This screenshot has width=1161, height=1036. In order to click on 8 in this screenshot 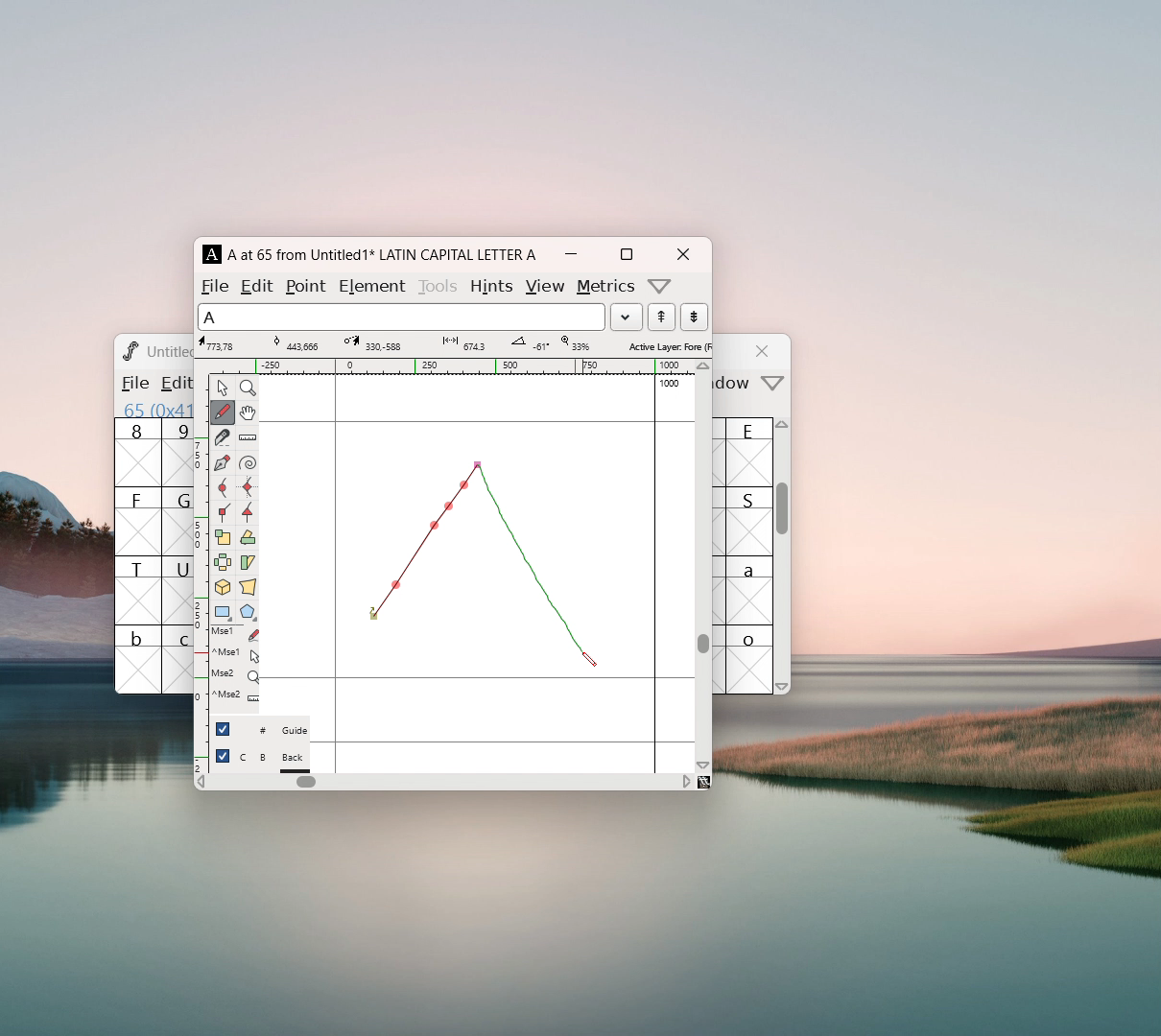, I will do `click(137, 453)`.